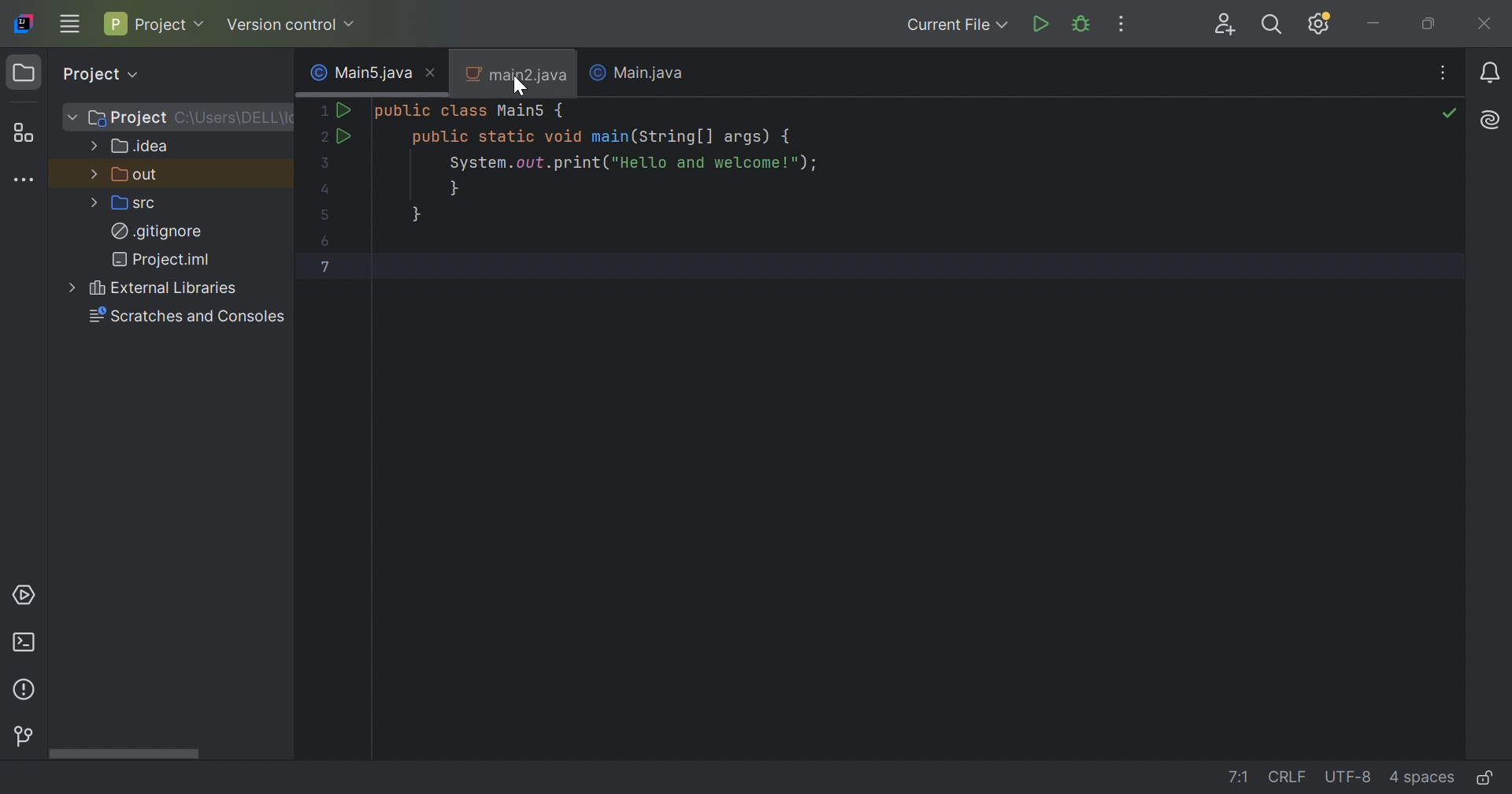 This screenshot has width=1512, height=794. What do you see at coordinates (24, 691) in the screenshot?
I see `Problems` at bounding box center [24, 691].